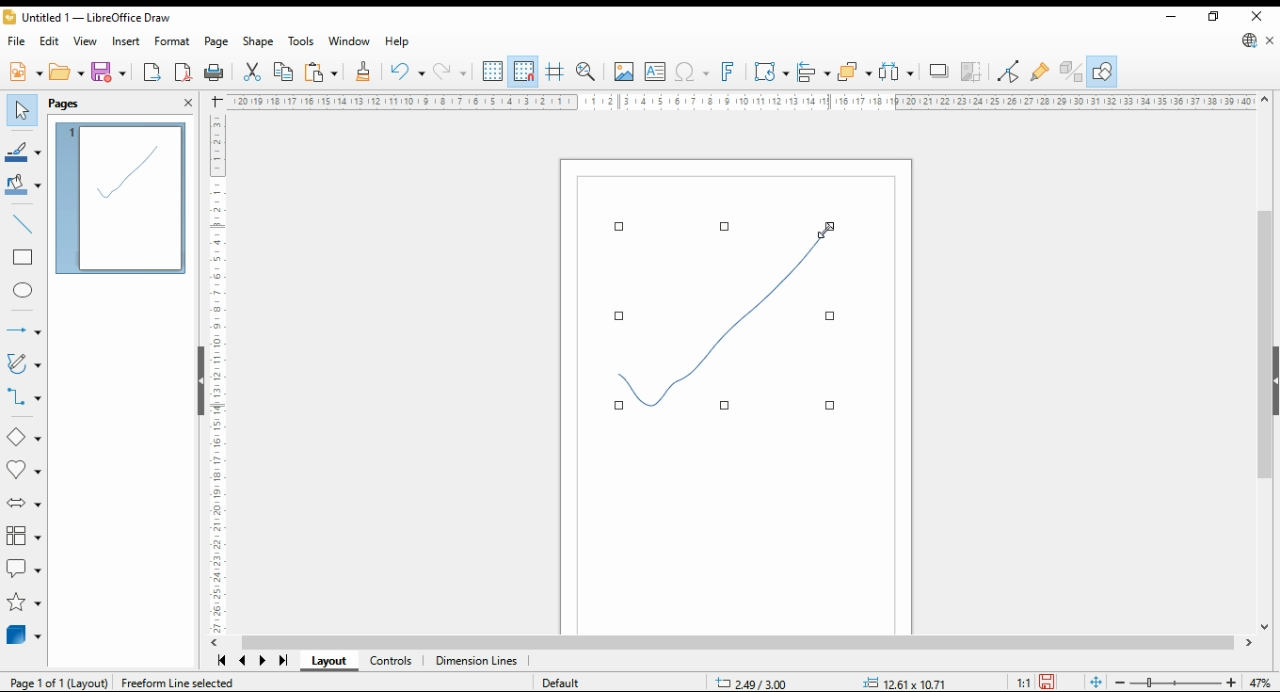  What do you see at coordinates (525, 72) in the screenshot?
I see `snap to grid` at bounding box center [525, 72].